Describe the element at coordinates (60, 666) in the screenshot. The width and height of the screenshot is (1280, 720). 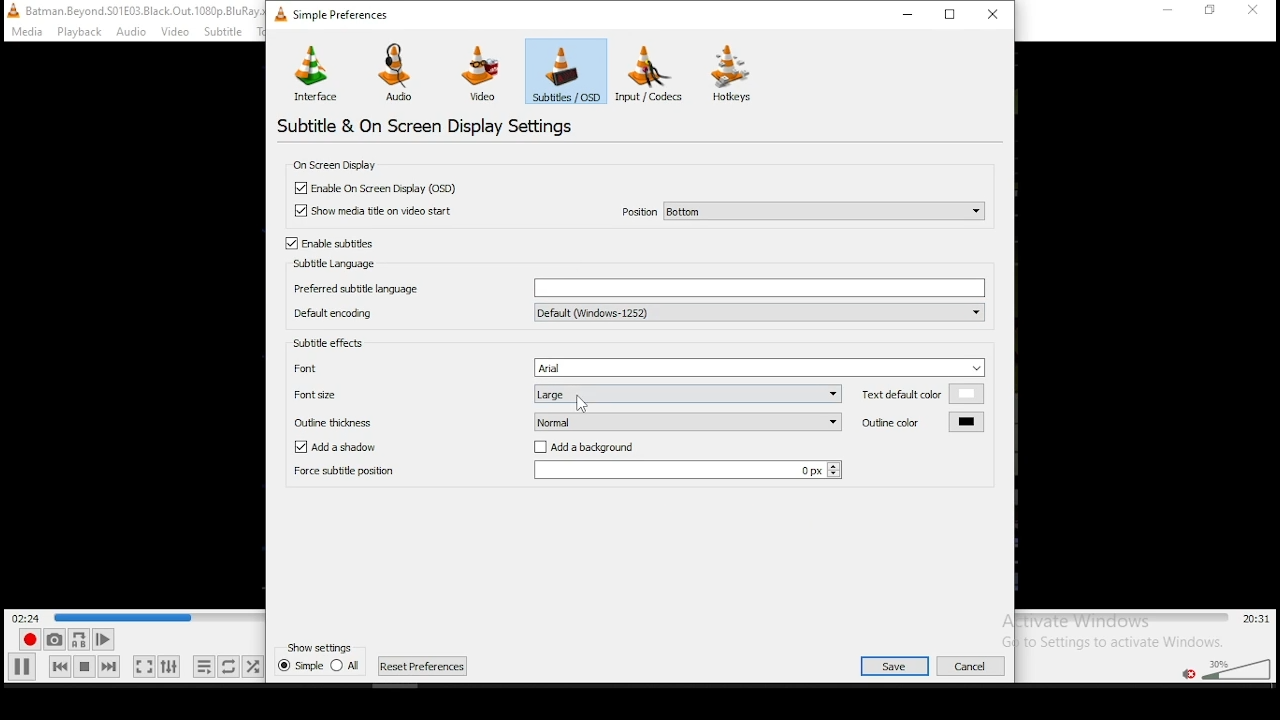
I see `previous media in playlist, skips backward when held` at that location.